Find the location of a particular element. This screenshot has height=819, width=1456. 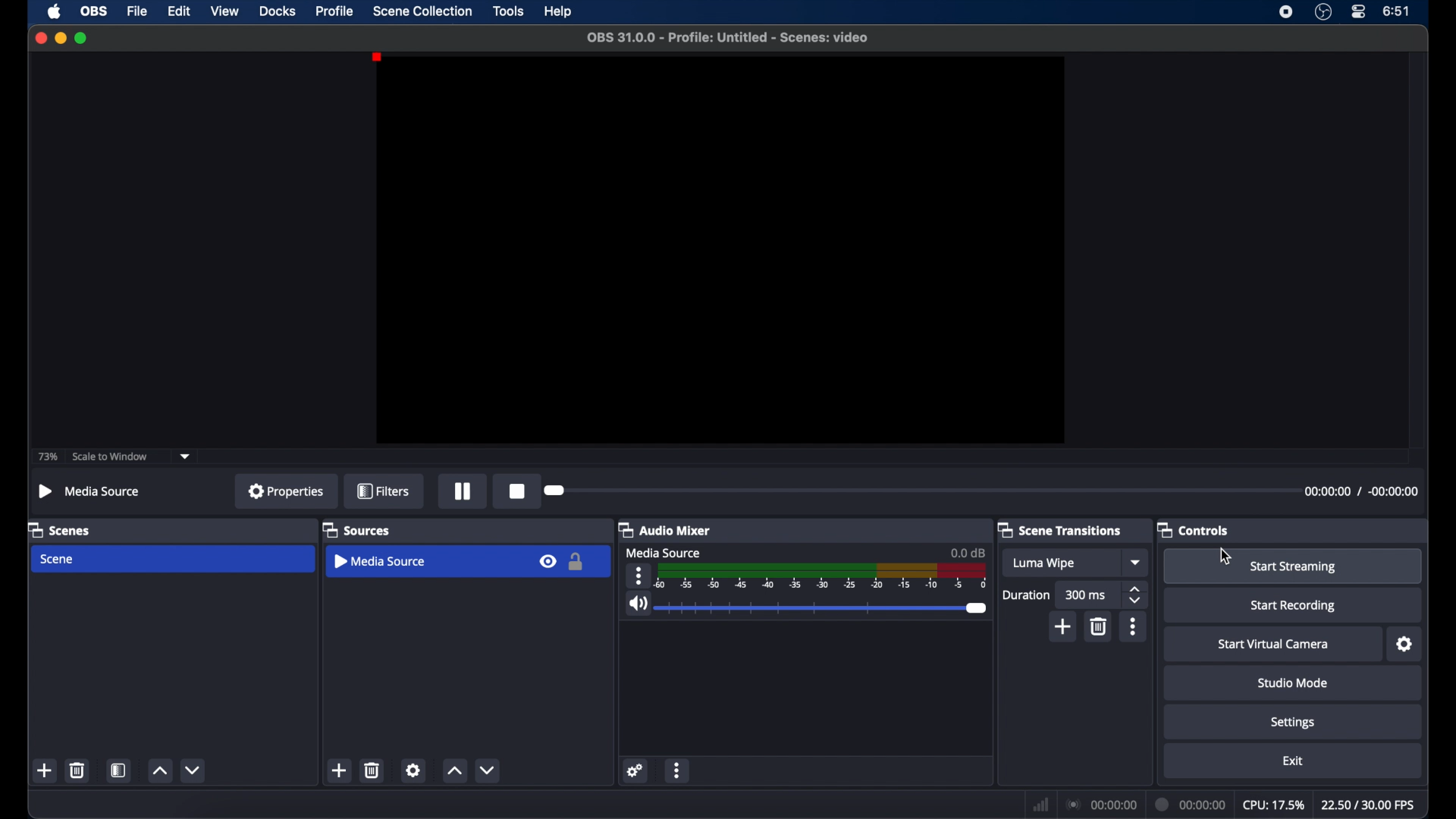

0.0 is located at coordinates (968, 552).